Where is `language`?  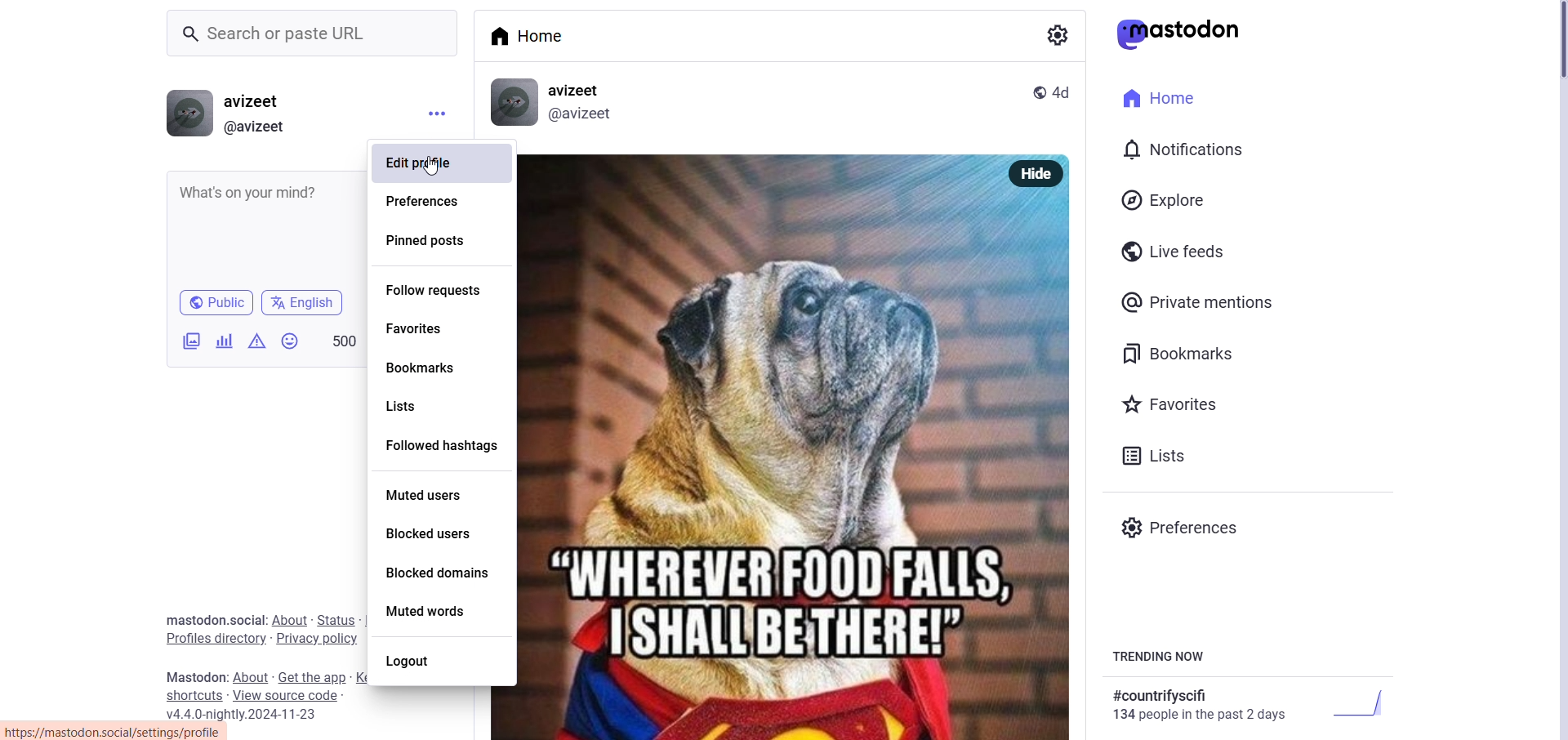 language is located at coordinates (305, 303).